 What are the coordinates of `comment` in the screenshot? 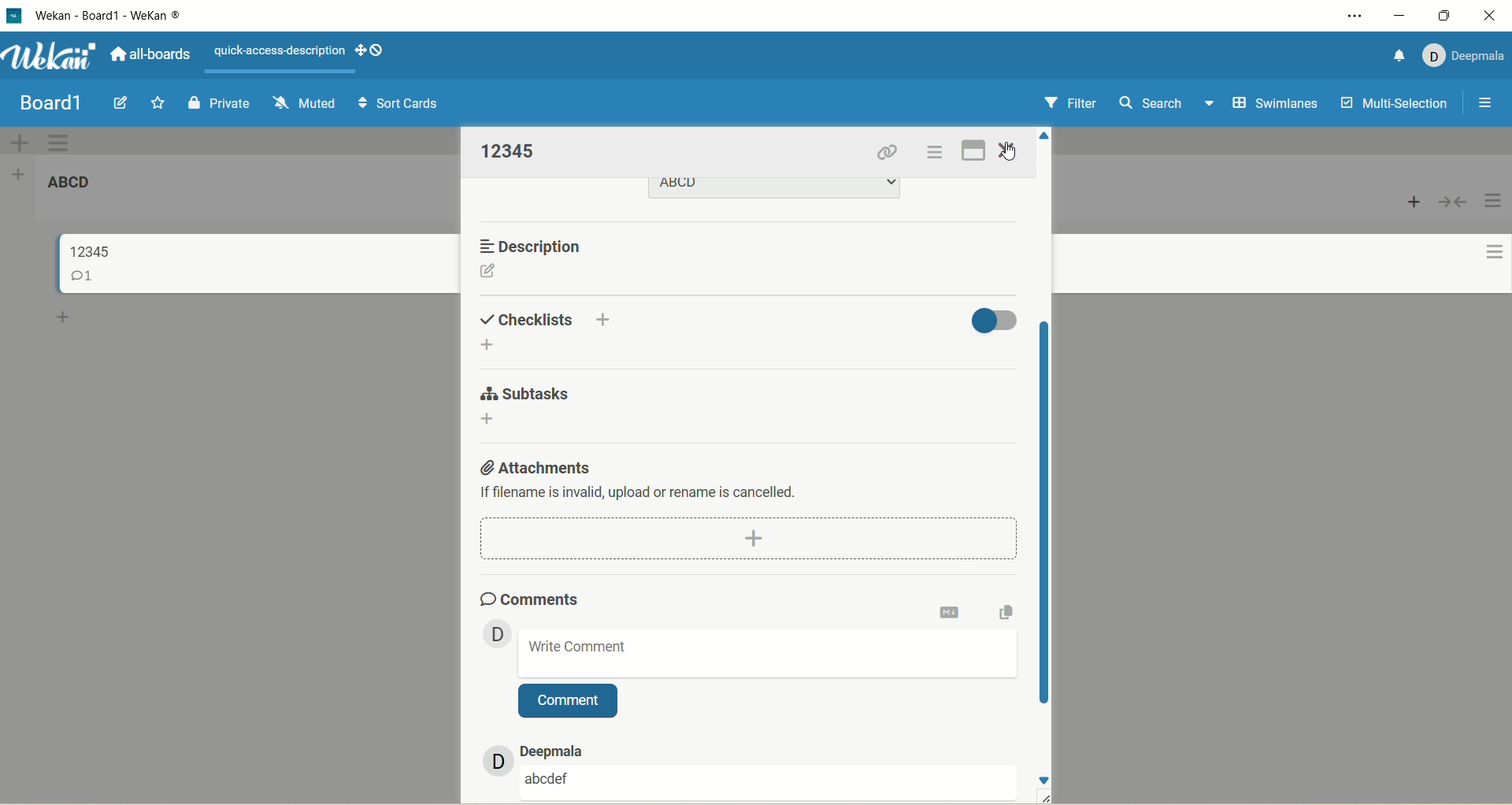 It's located at (768, 653).